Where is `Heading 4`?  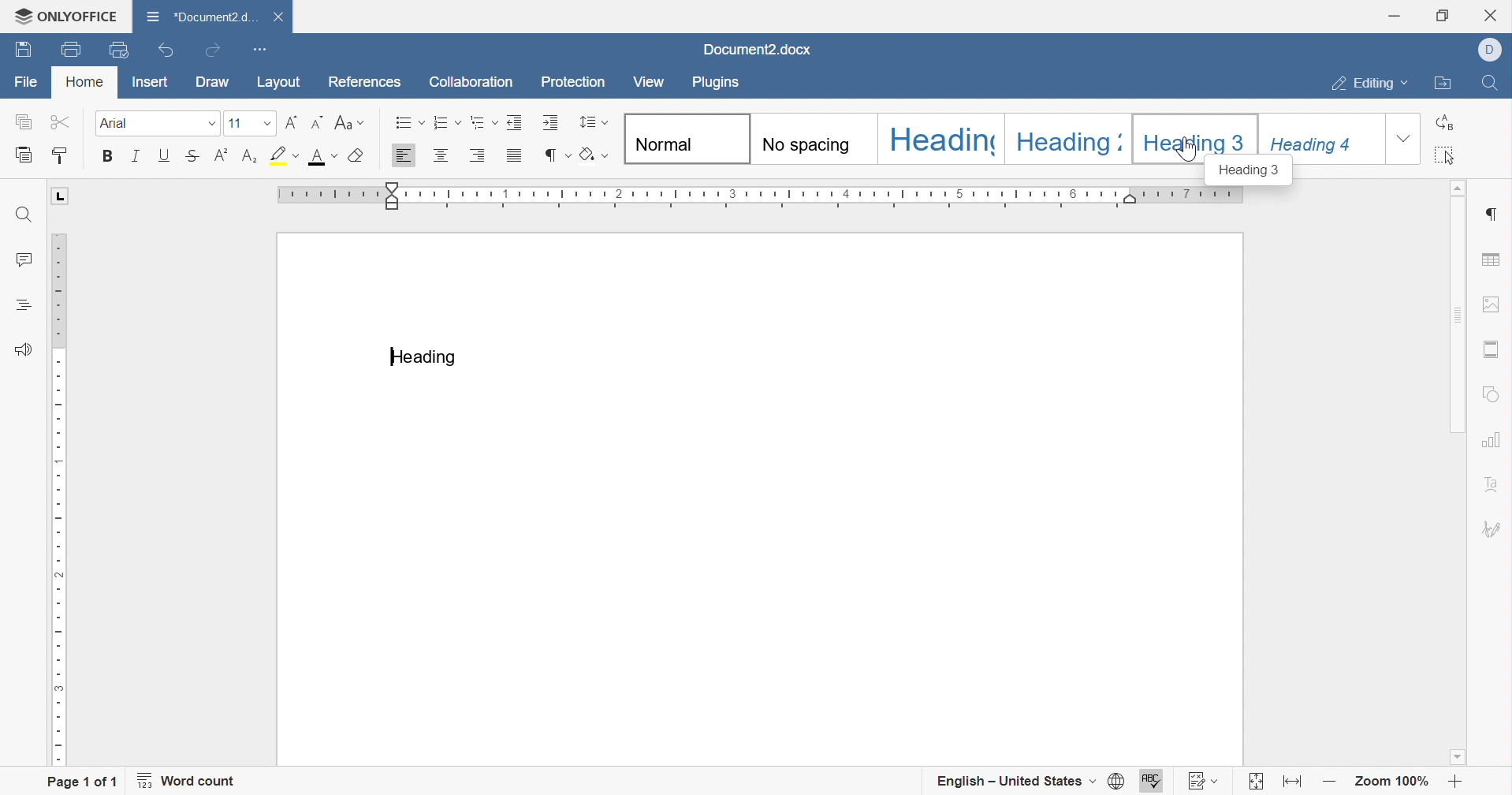 Heading 4 is located at coordinates (1323, 137).